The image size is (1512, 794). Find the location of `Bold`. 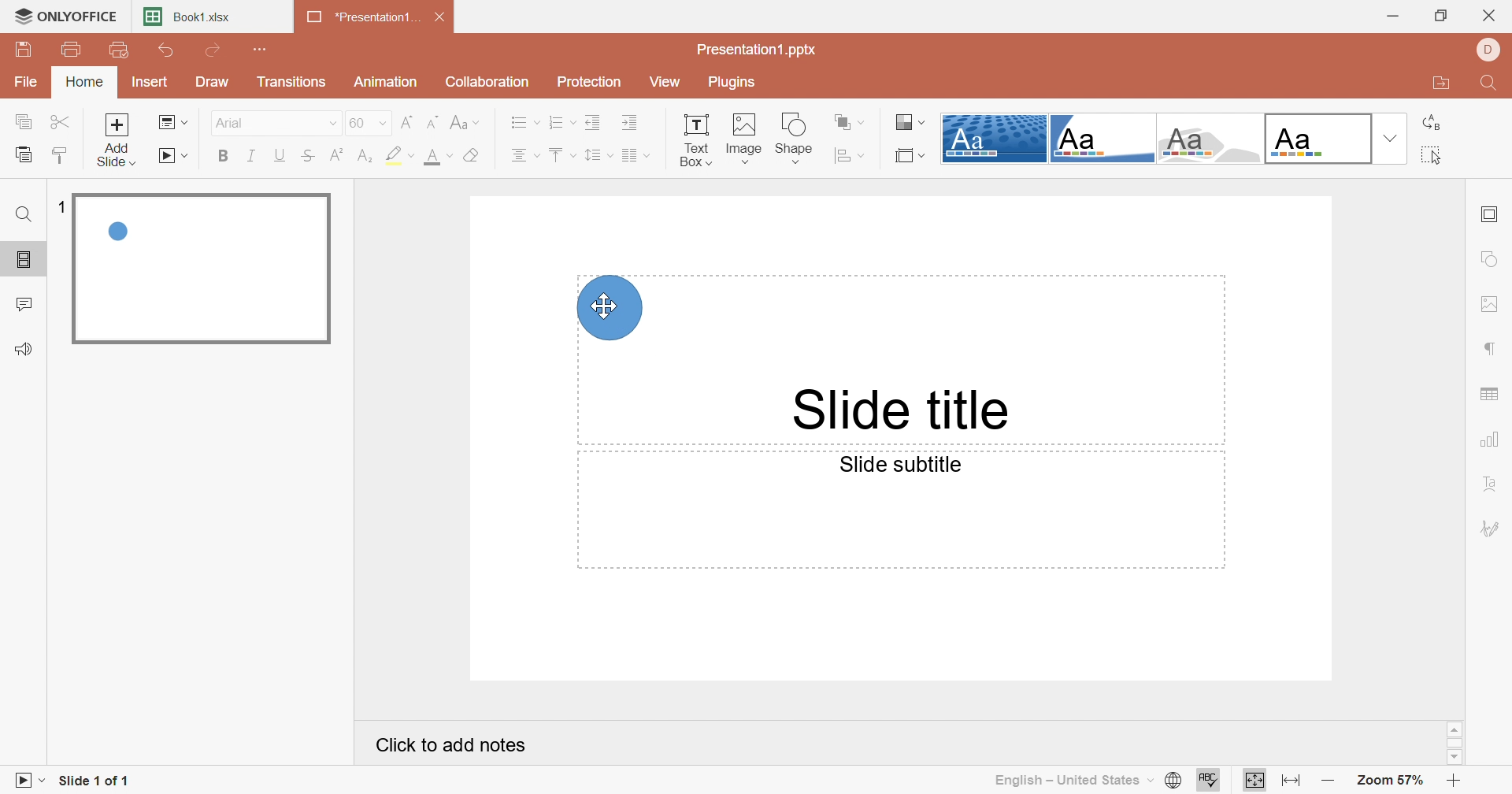

Bold is located at coordinates (225, 155).